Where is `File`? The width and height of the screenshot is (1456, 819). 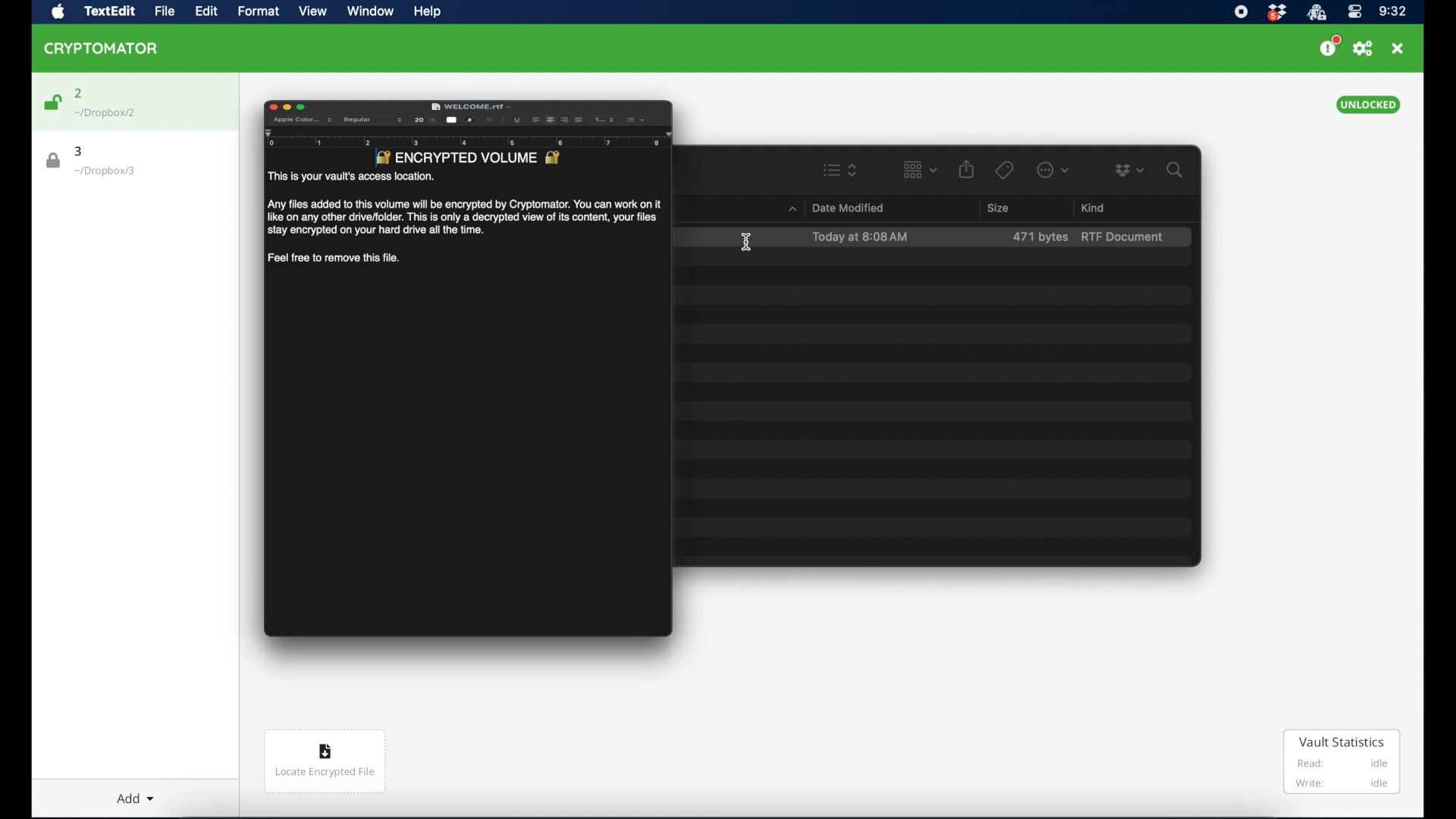 File is located at coordinates (168, 12).